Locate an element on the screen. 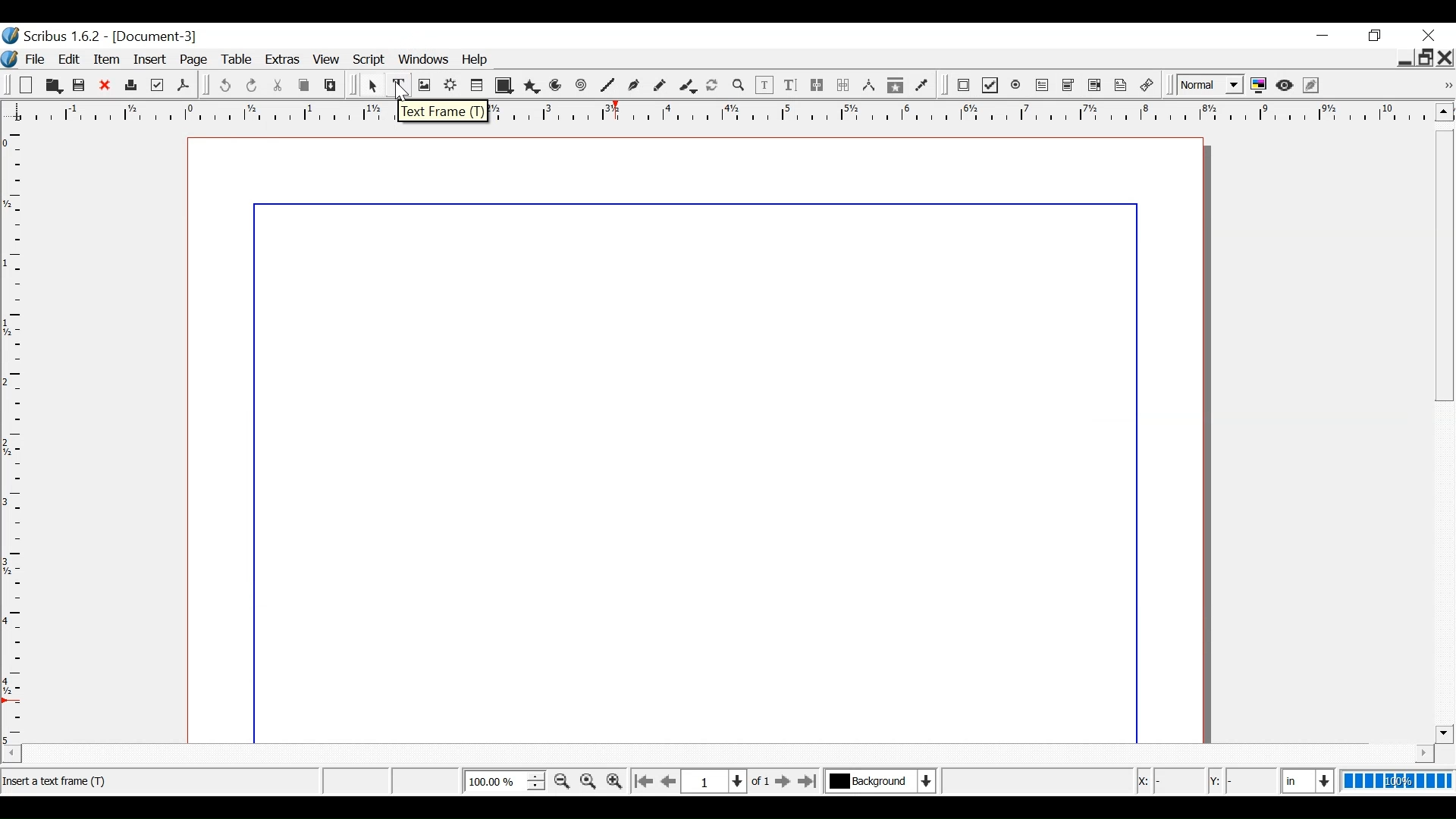  link text frames is located at coordinates (817, 86).